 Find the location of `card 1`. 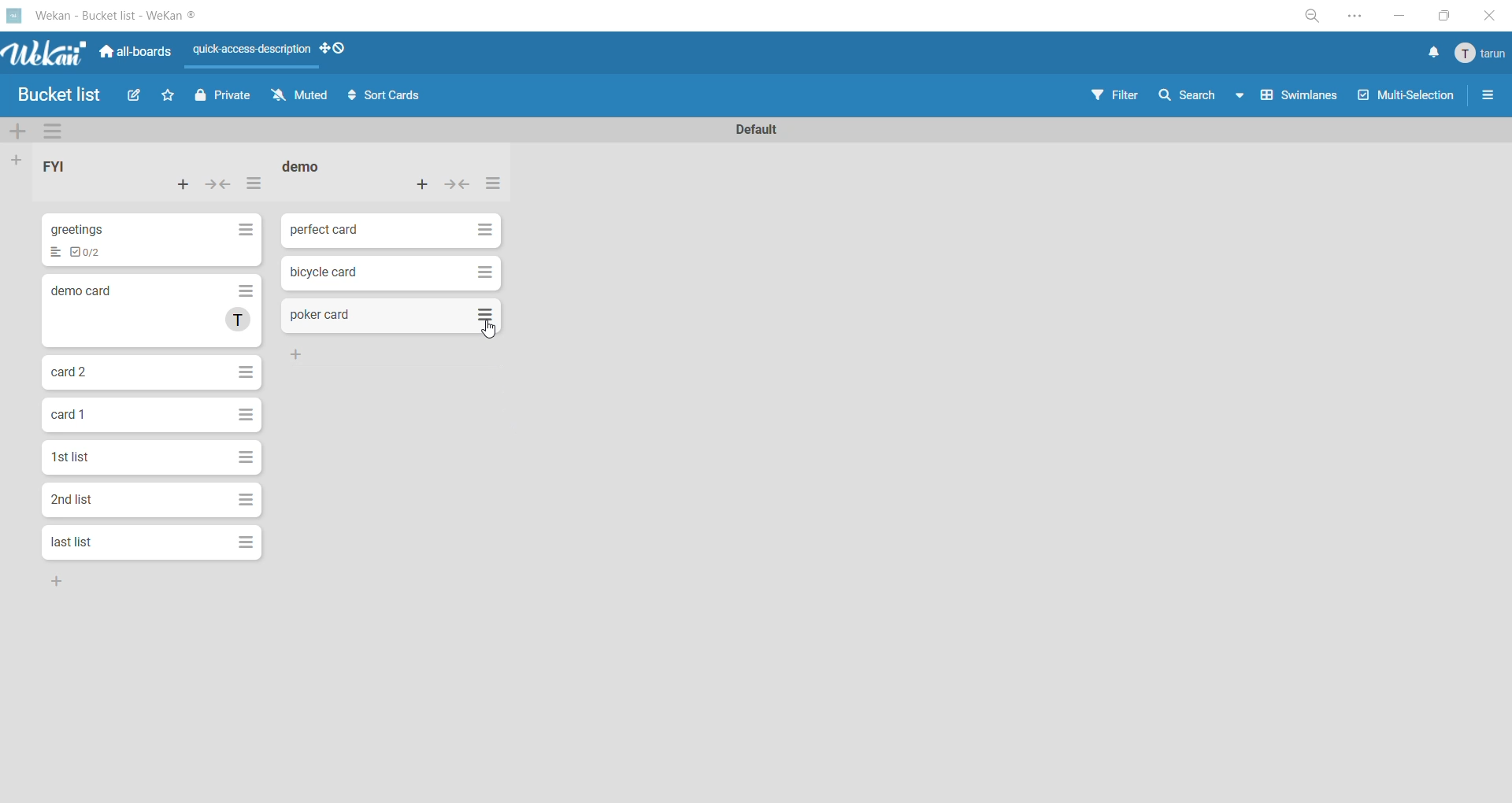

card 1 is located at coordinates (76, 414).